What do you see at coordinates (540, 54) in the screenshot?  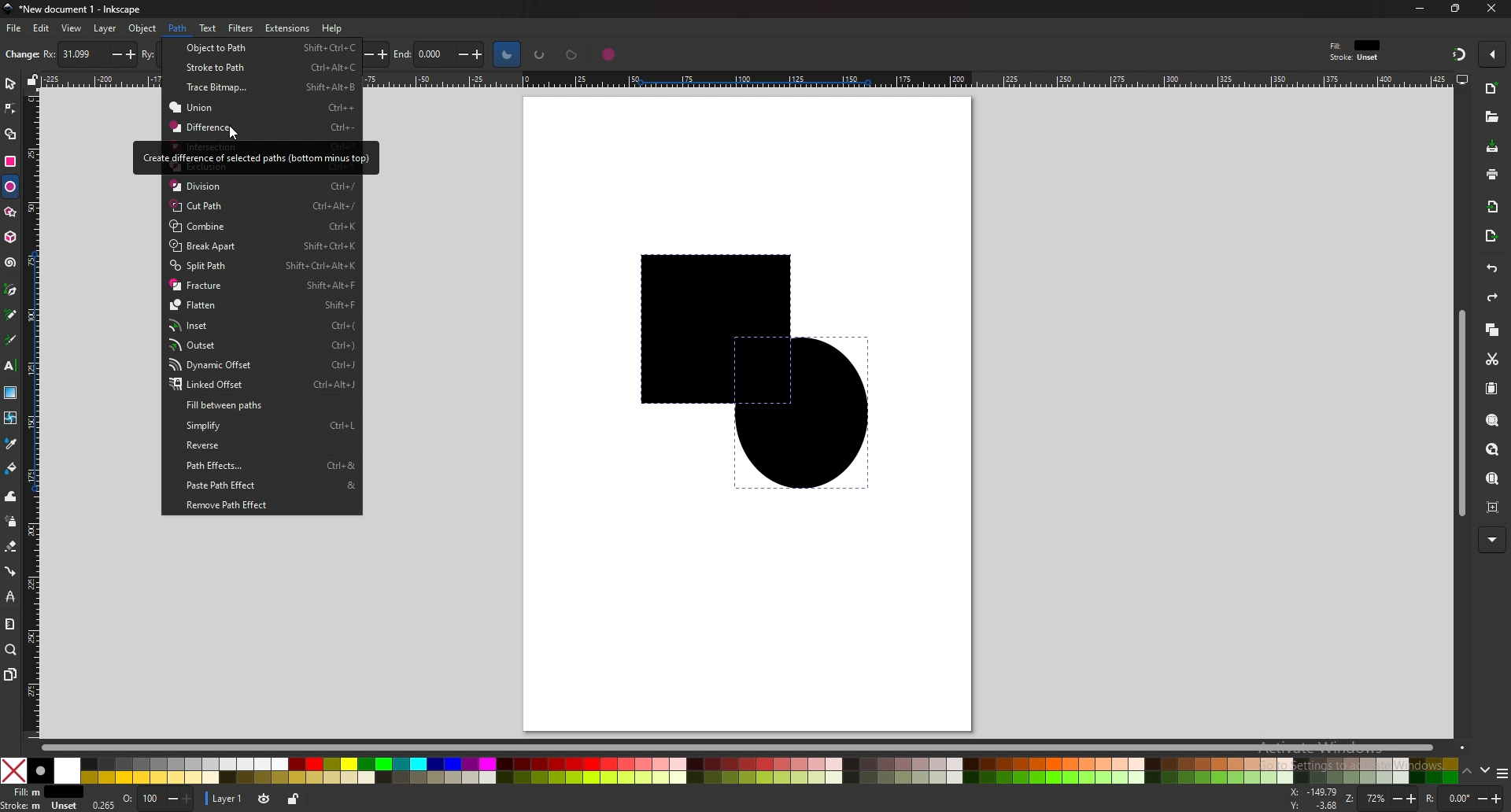 I see `arc` at bounding box center [540, 54].